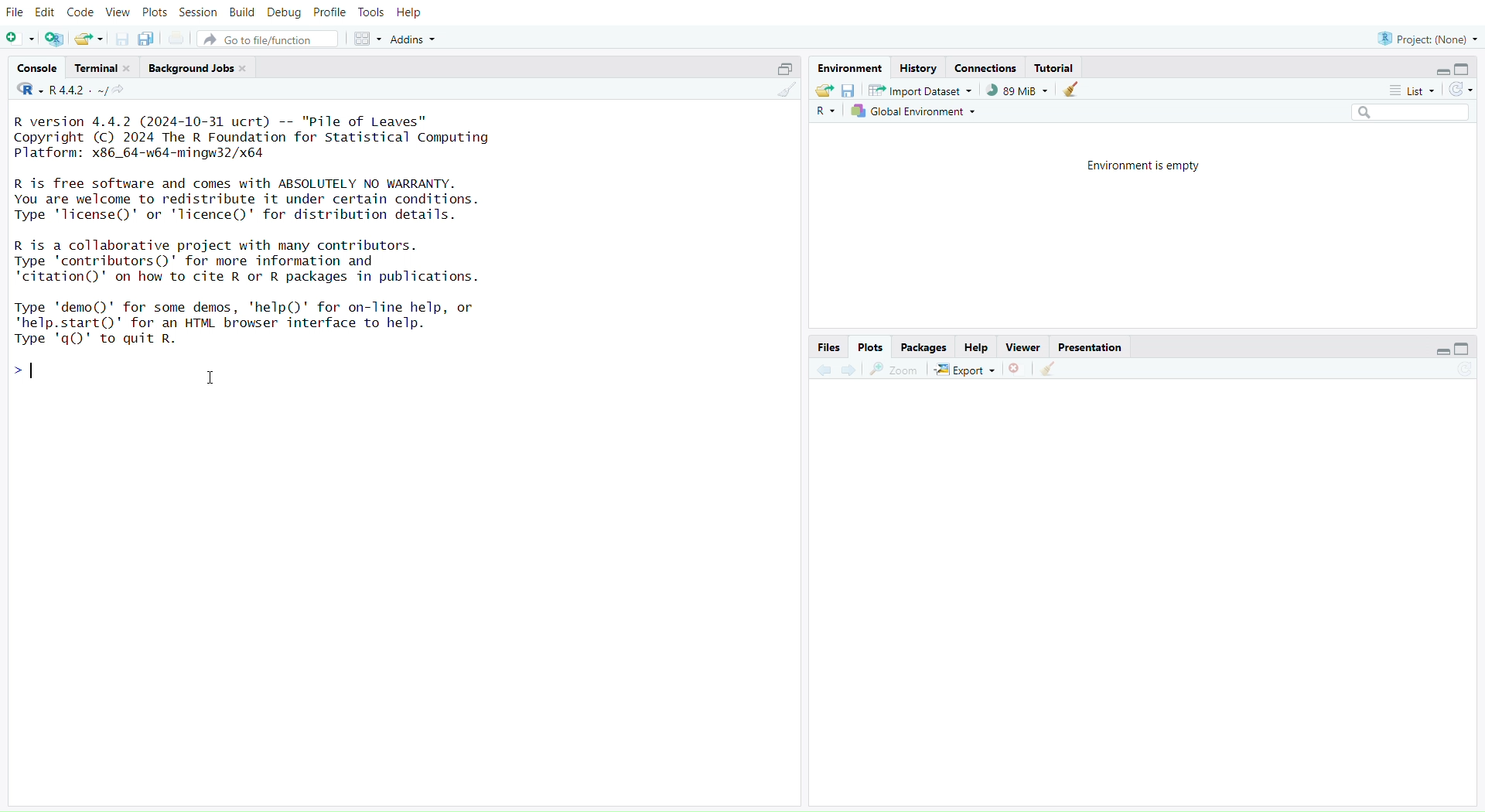 This screenshot has width=1485, height=812. What do you see at coordinates (1465, 350) in the screenshot?
I see `Maximize` at bounding box center [1465, 350].